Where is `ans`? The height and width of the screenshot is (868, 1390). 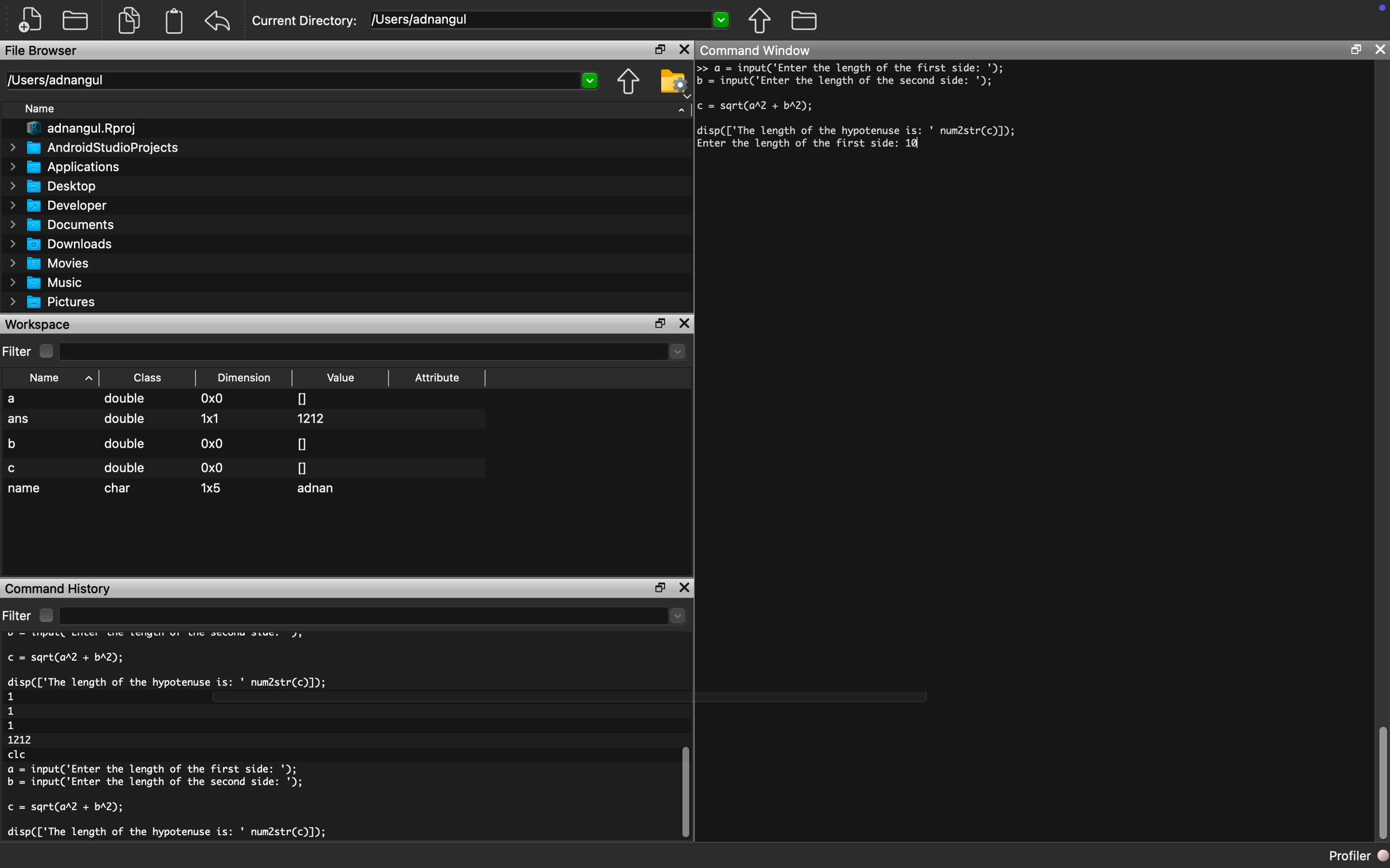
ans is located at coordinates (20, 421).